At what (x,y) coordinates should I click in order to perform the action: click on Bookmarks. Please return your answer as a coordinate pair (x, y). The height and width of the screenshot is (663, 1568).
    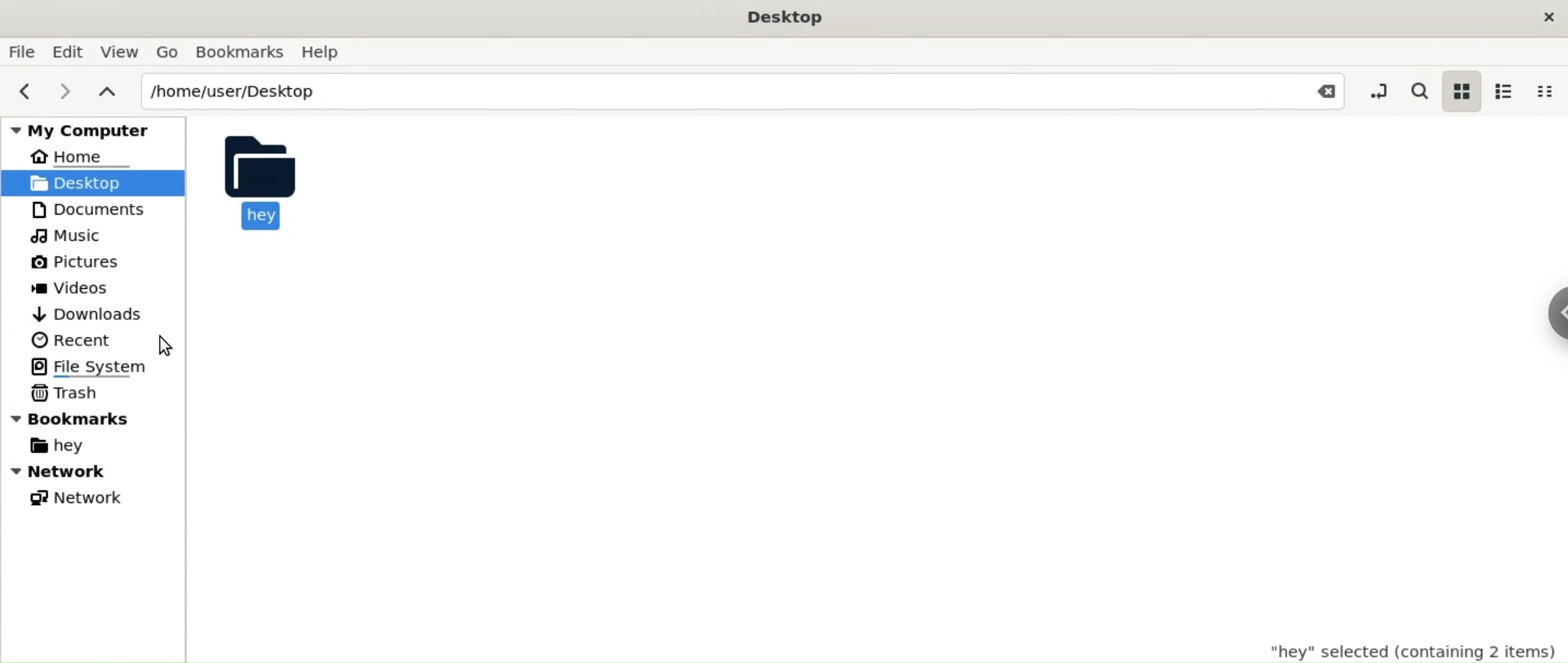
    Looking at the image, I should click on (94, 418).